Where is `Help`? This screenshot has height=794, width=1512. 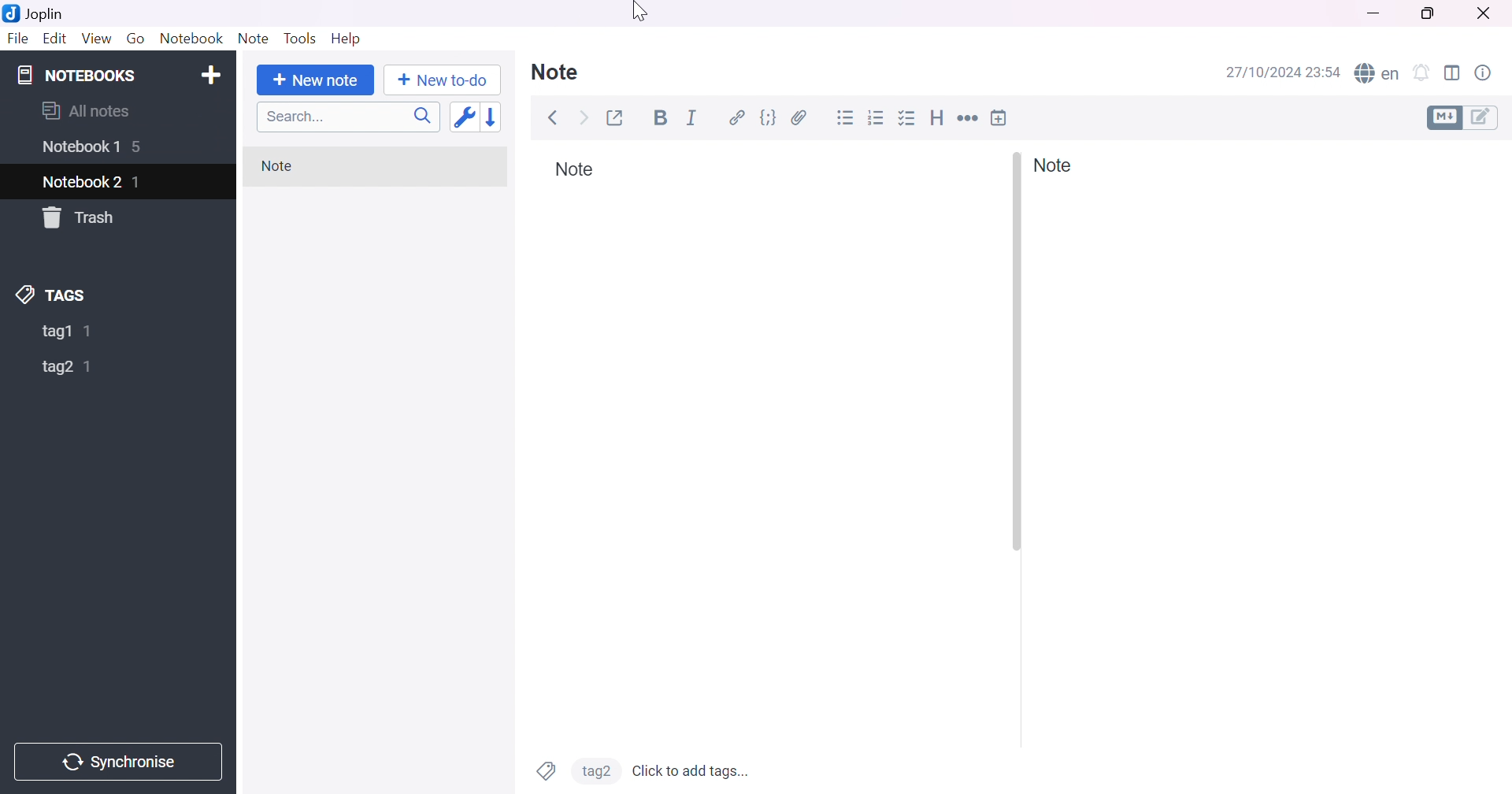 Help is located at coordinates (346, 40).